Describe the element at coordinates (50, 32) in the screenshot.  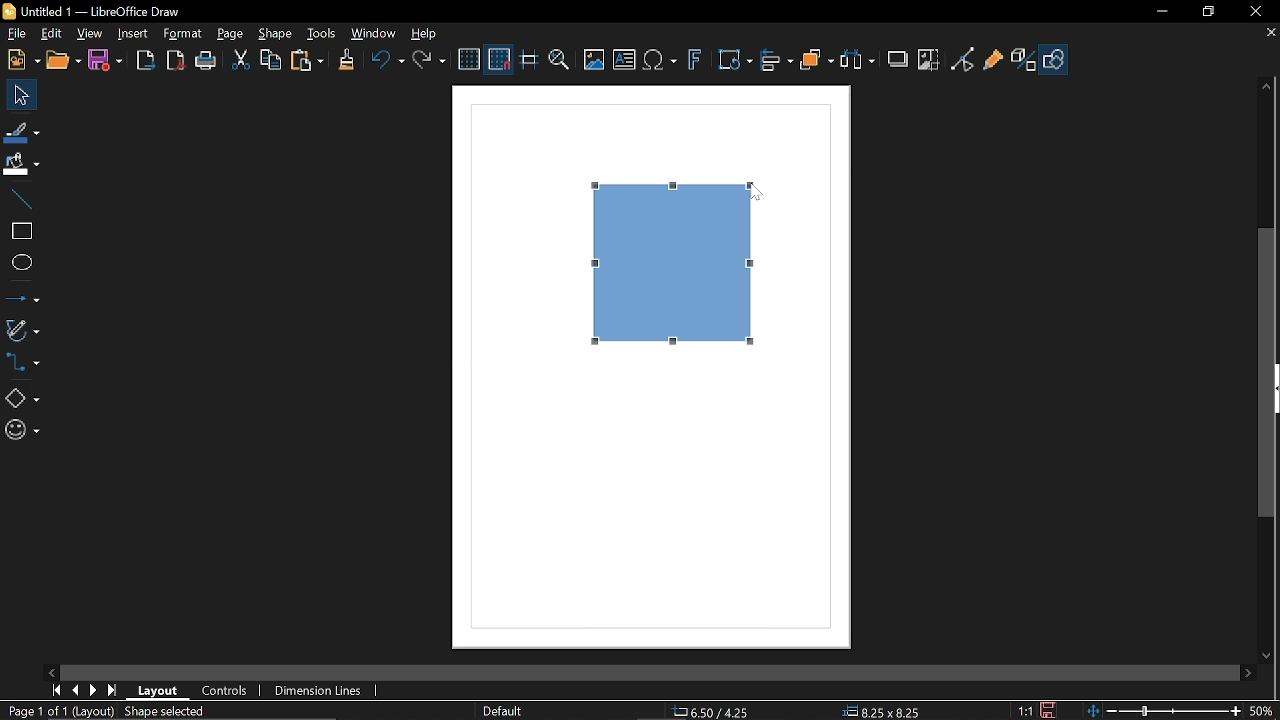
I see `Edit` at that location.